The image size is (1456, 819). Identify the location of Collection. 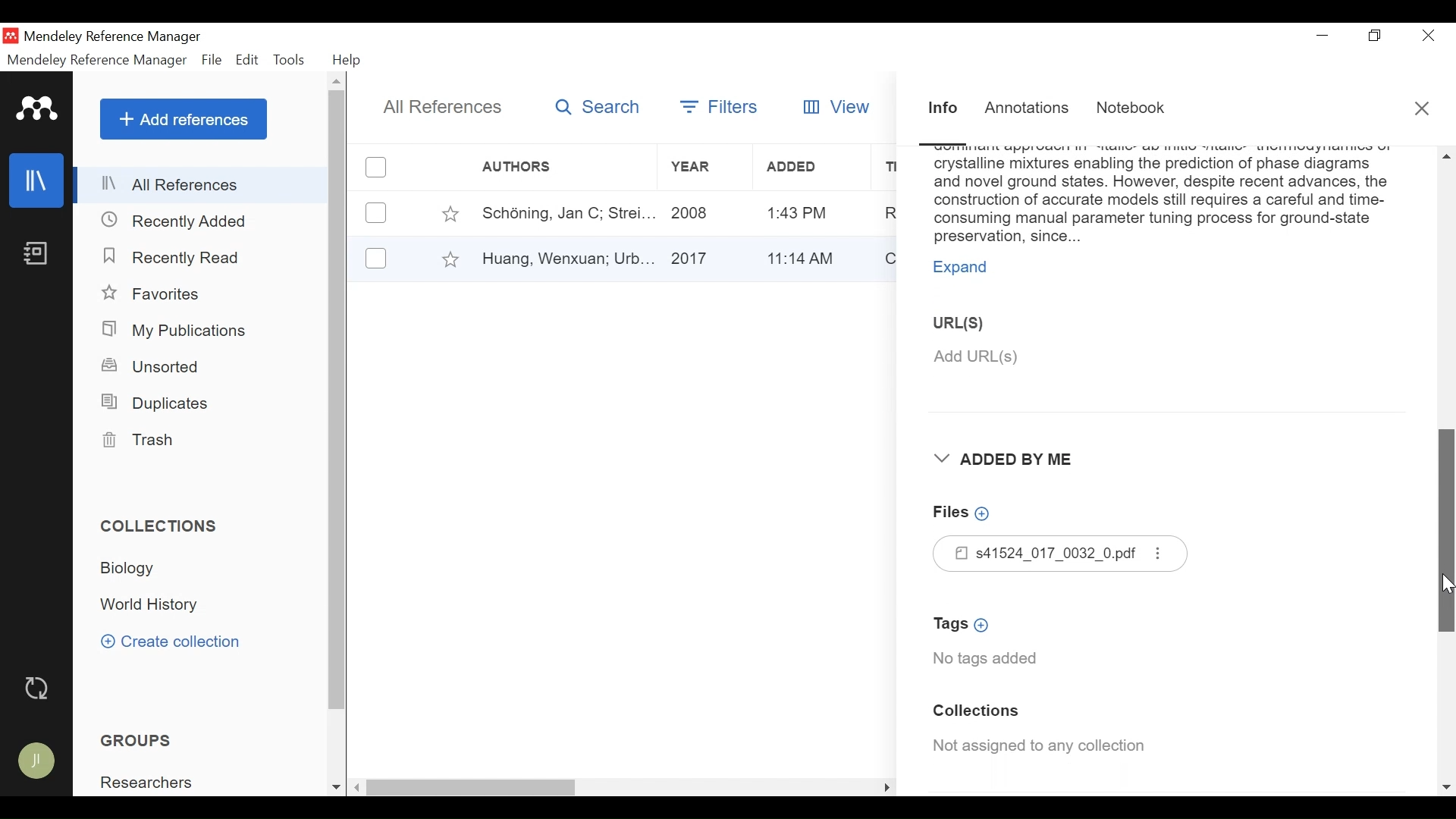
(152, 606).